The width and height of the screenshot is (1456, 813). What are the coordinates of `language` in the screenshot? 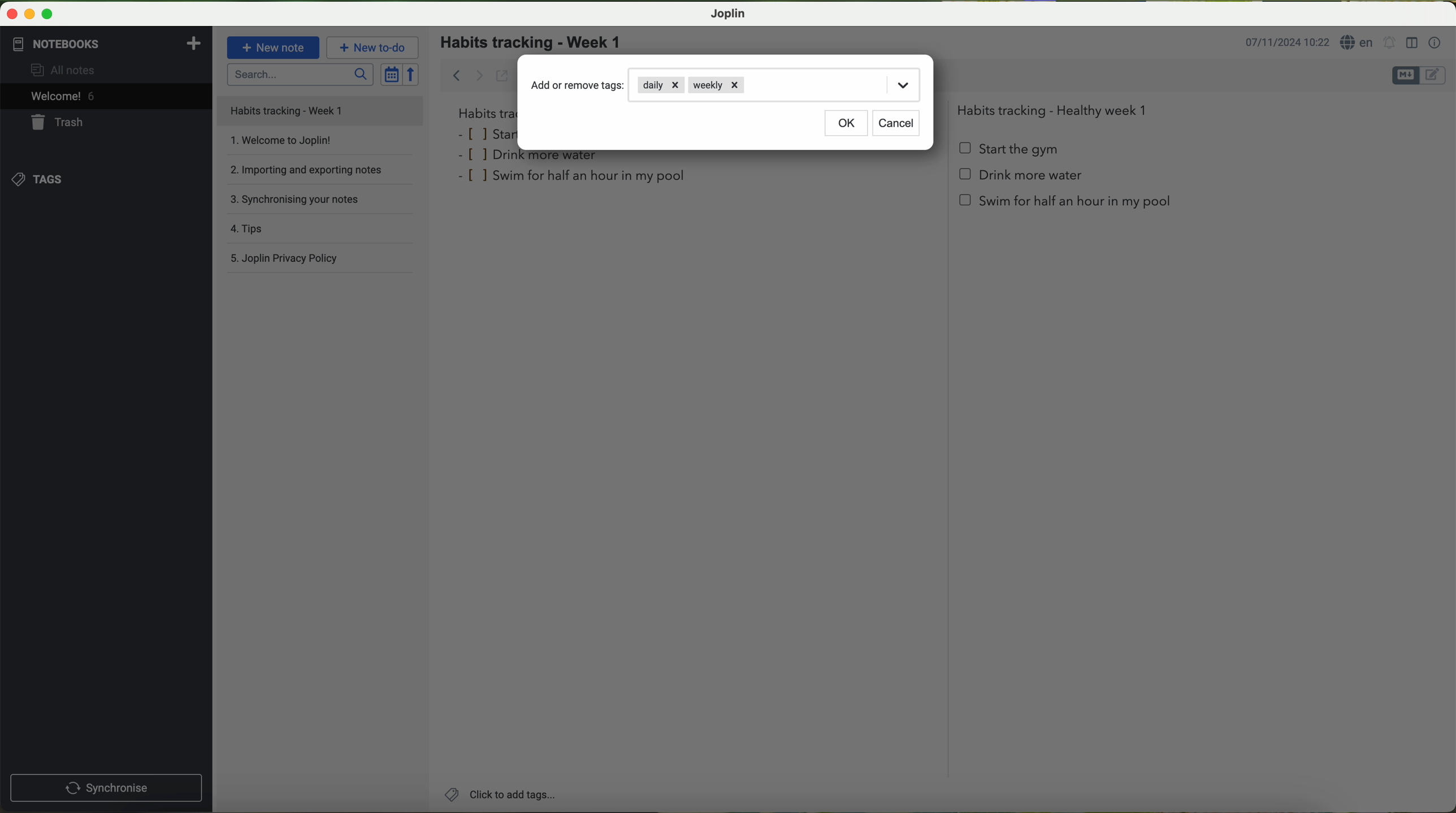 It's located at (1358, 42).